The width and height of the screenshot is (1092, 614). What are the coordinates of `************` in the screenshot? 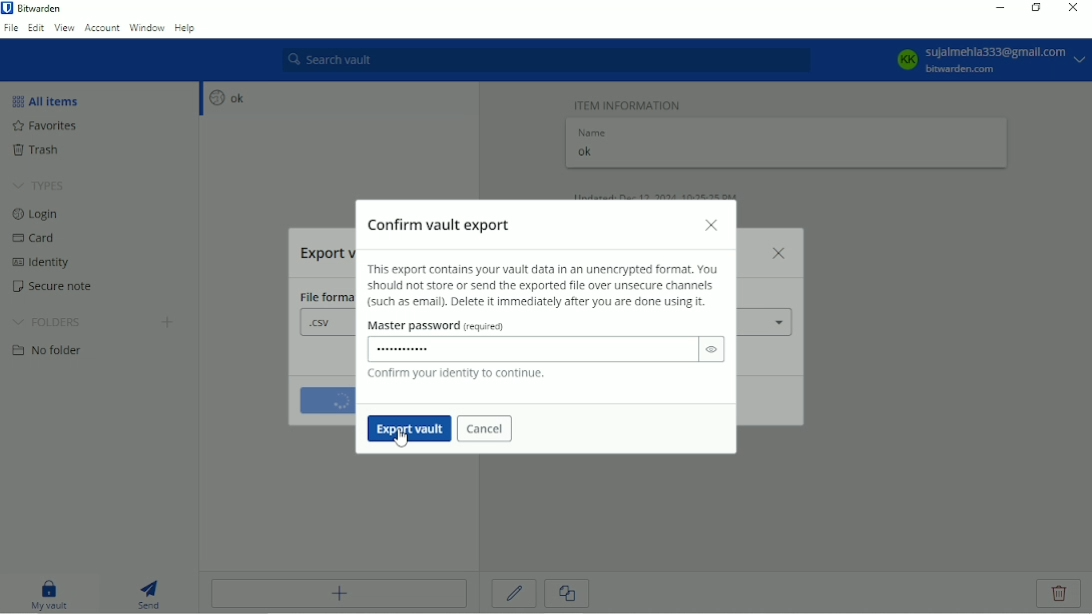 It's located at (409, 349).